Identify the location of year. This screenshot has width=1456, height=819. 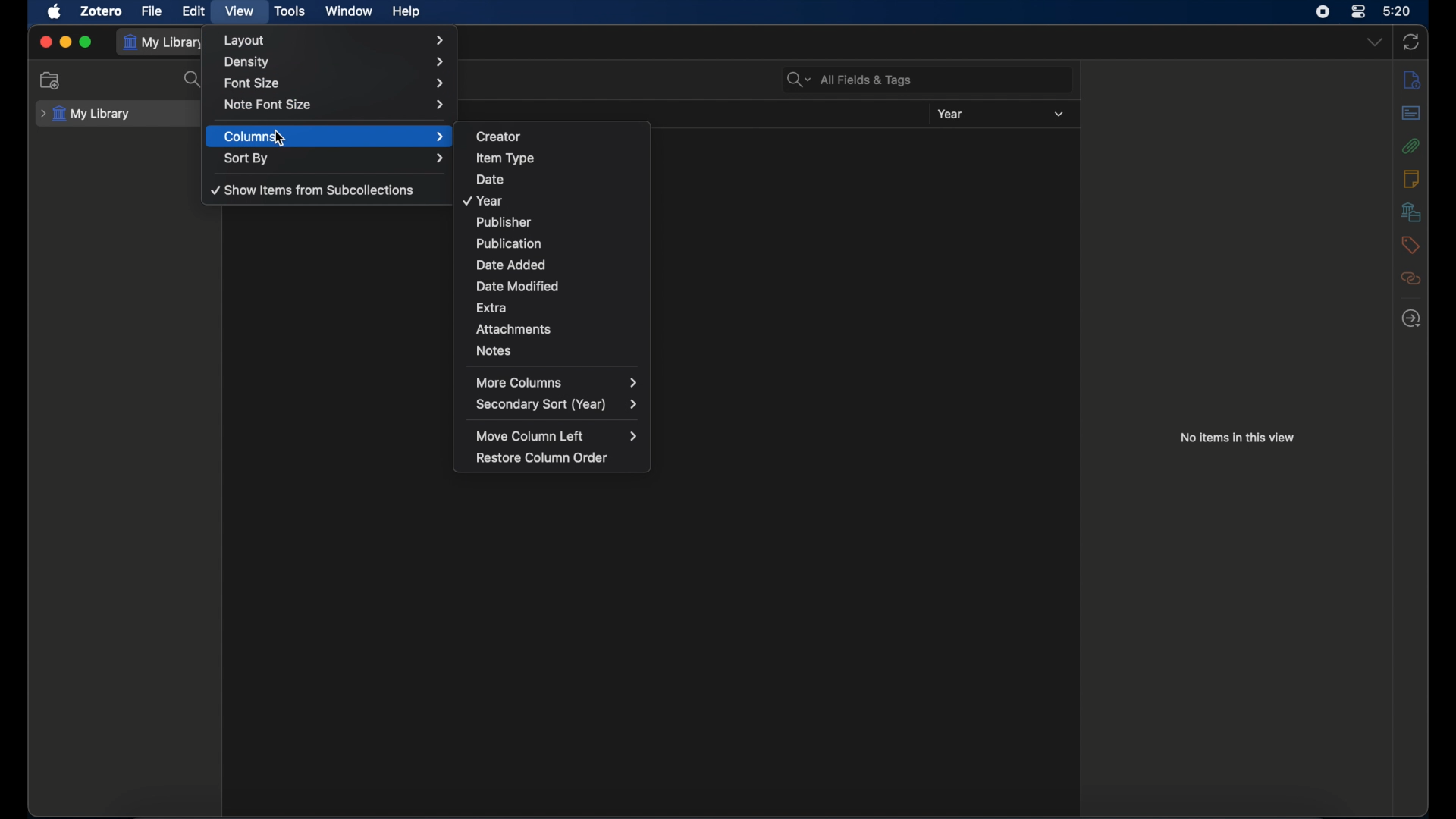
(555, 199).